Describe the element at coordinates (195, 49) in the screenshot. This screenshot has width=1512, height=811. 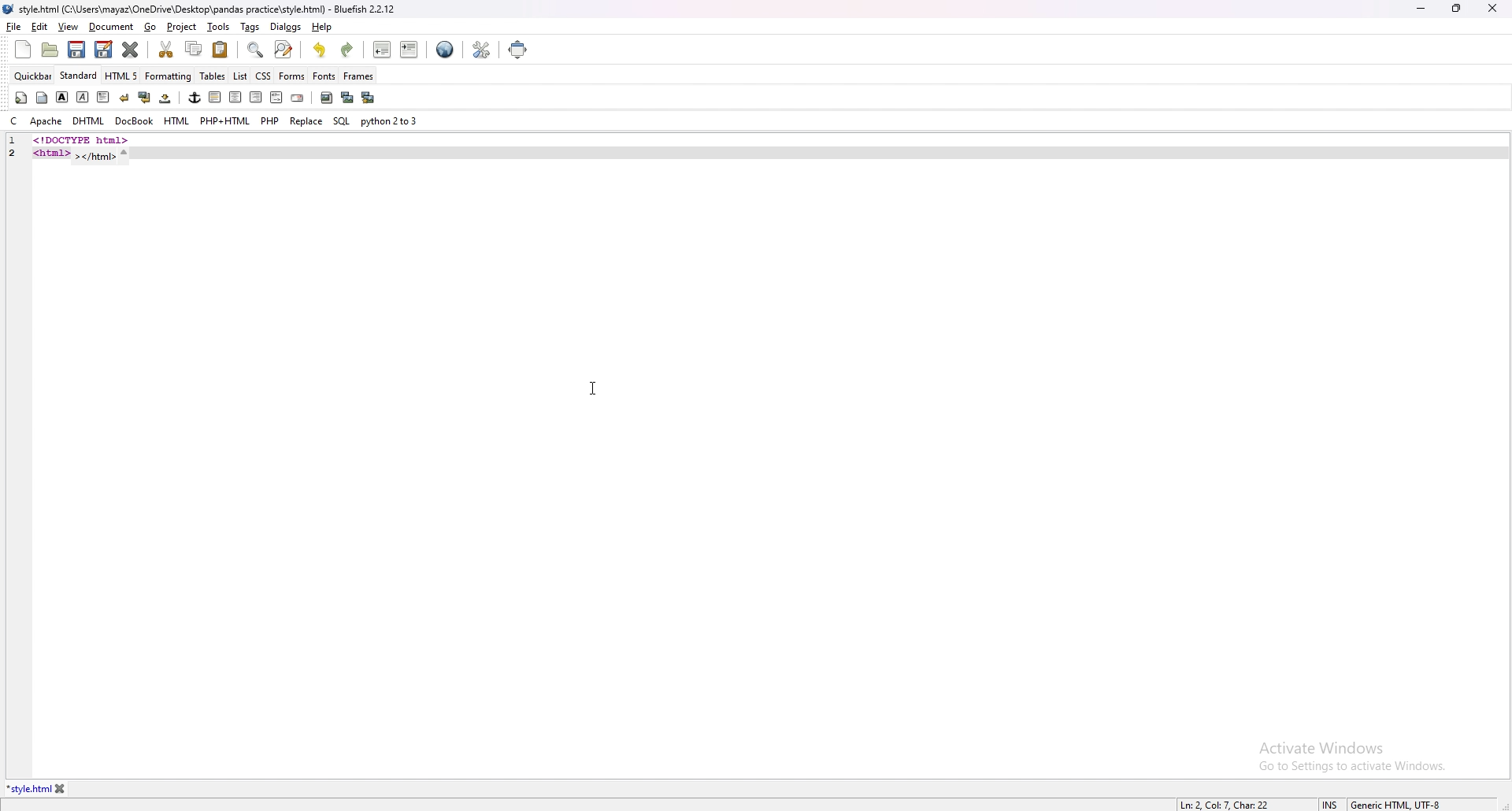
I see `copy` at that location.